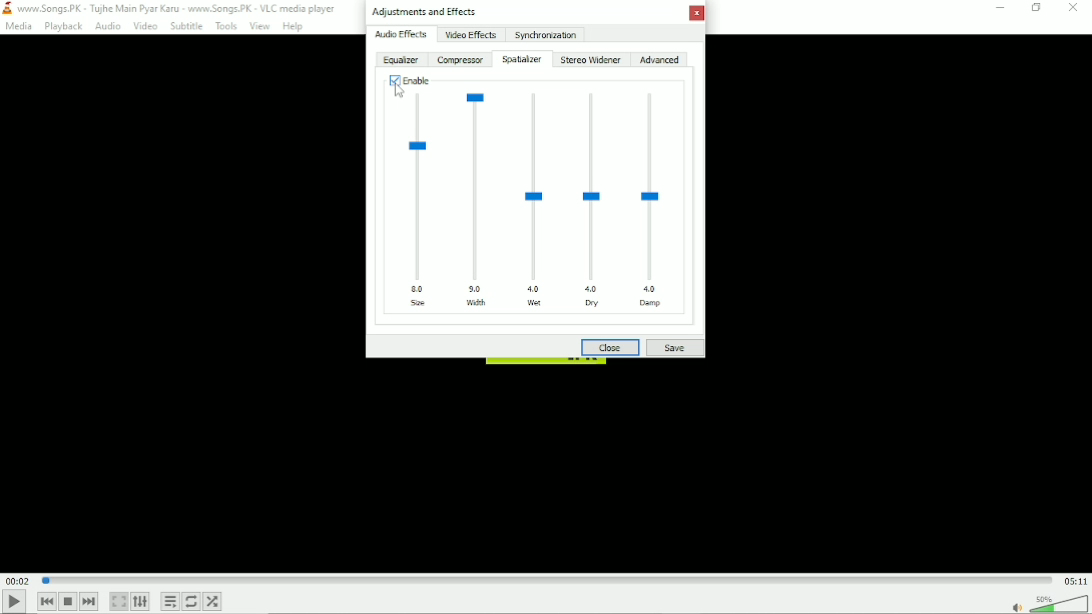 The height and width of the screenshot is (614, 1092). I want to click on Advanced, so click(661, 60).